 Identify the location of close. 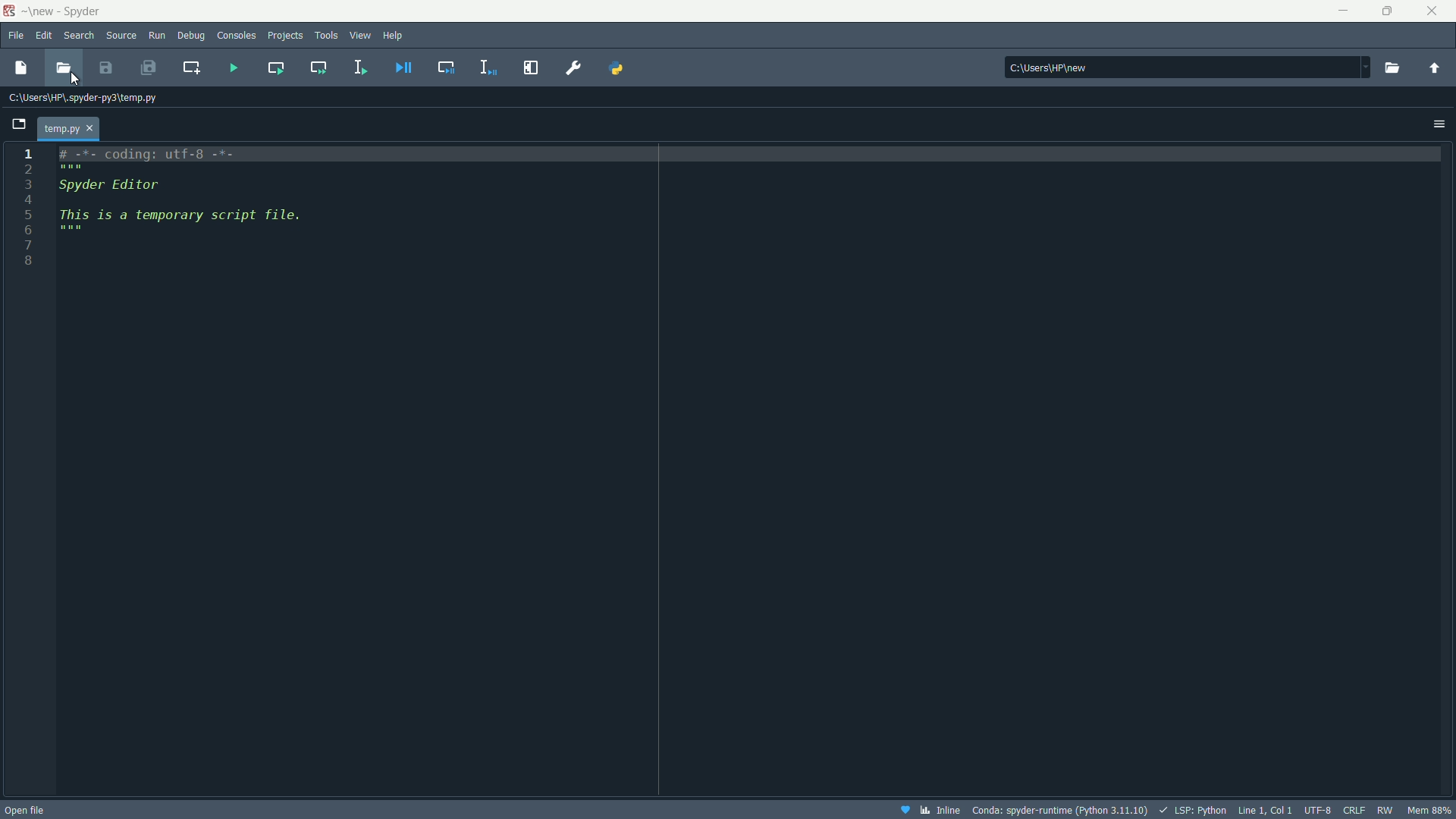
(1432, 11).